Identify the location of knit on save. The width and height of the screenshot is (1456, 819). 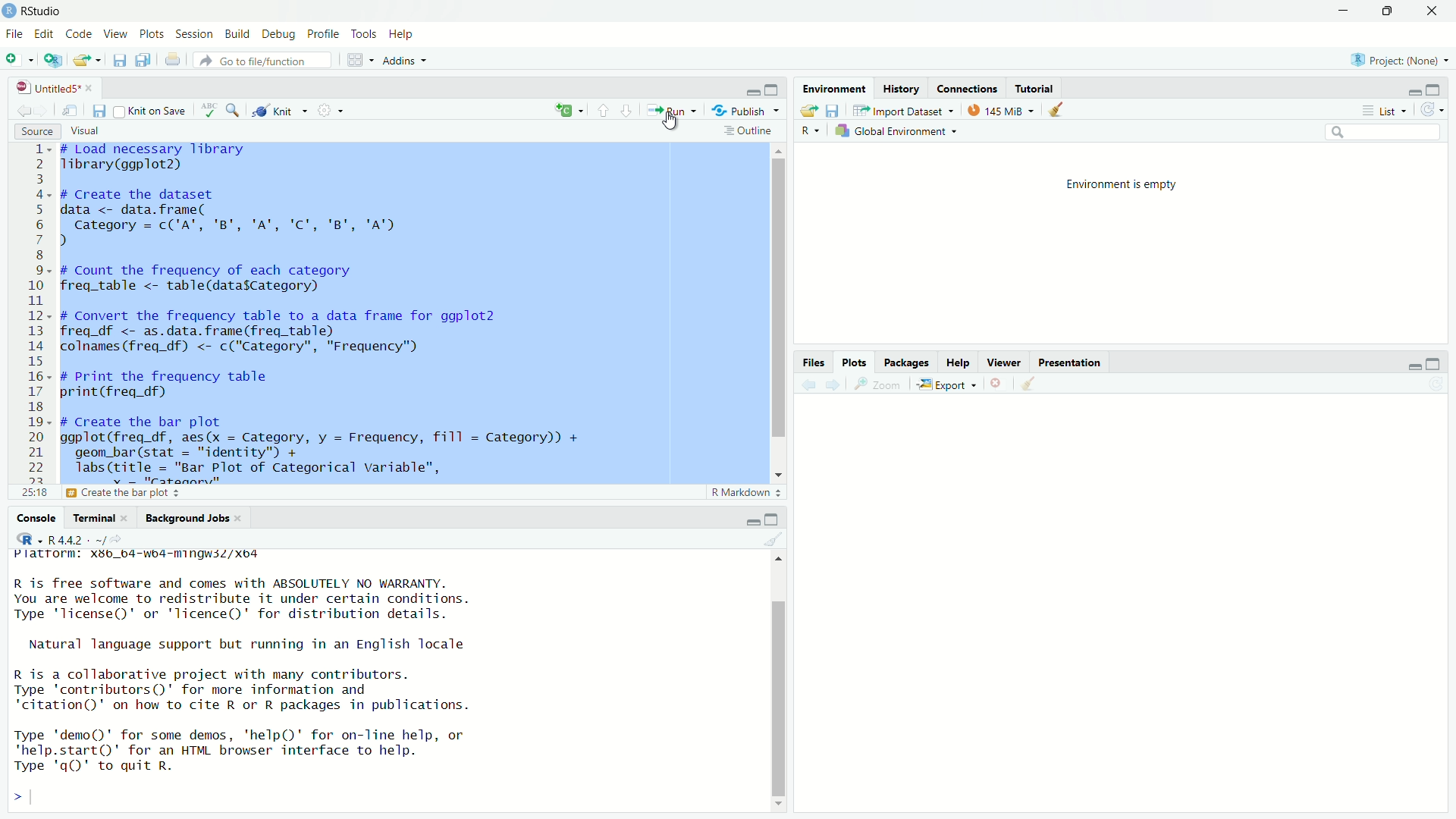
(152, 111).